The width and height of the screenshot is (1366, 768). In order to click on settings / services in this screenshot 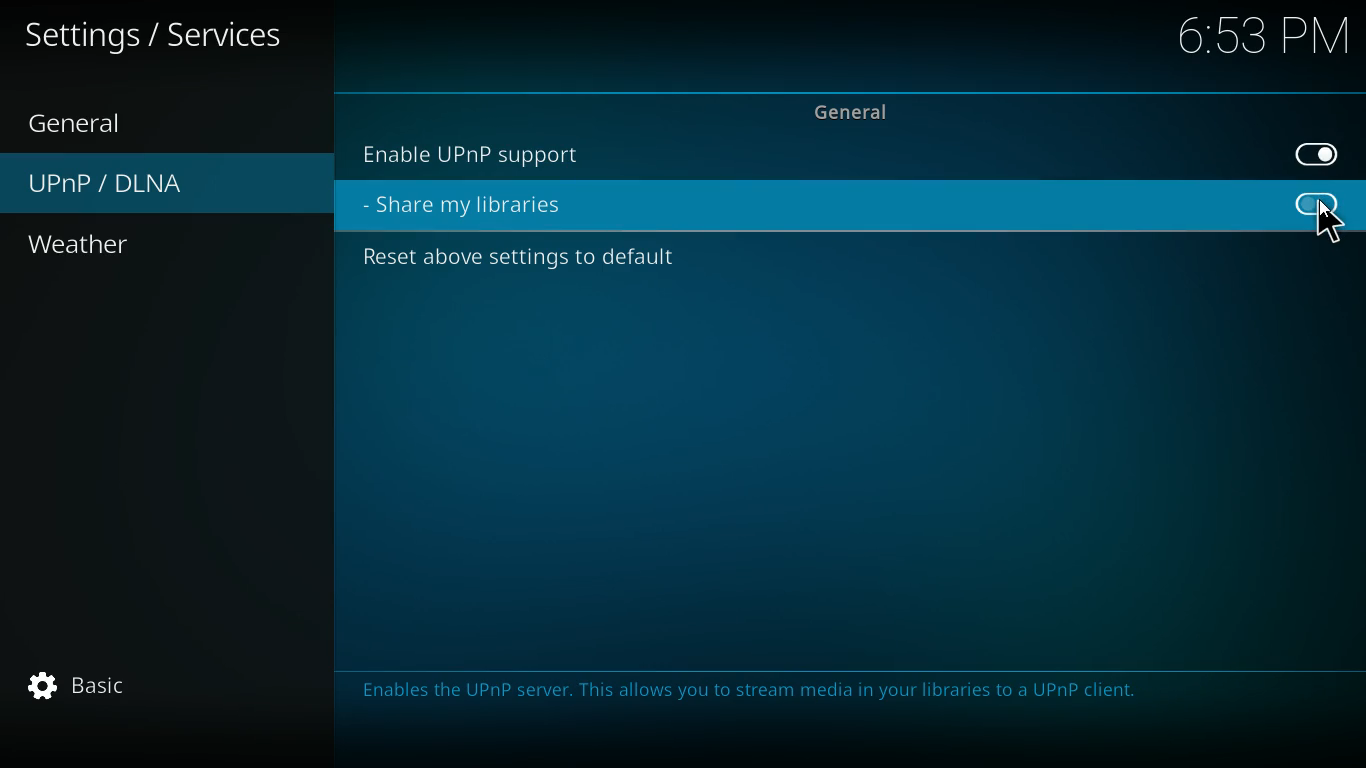, I will do `click(168, 35)`.